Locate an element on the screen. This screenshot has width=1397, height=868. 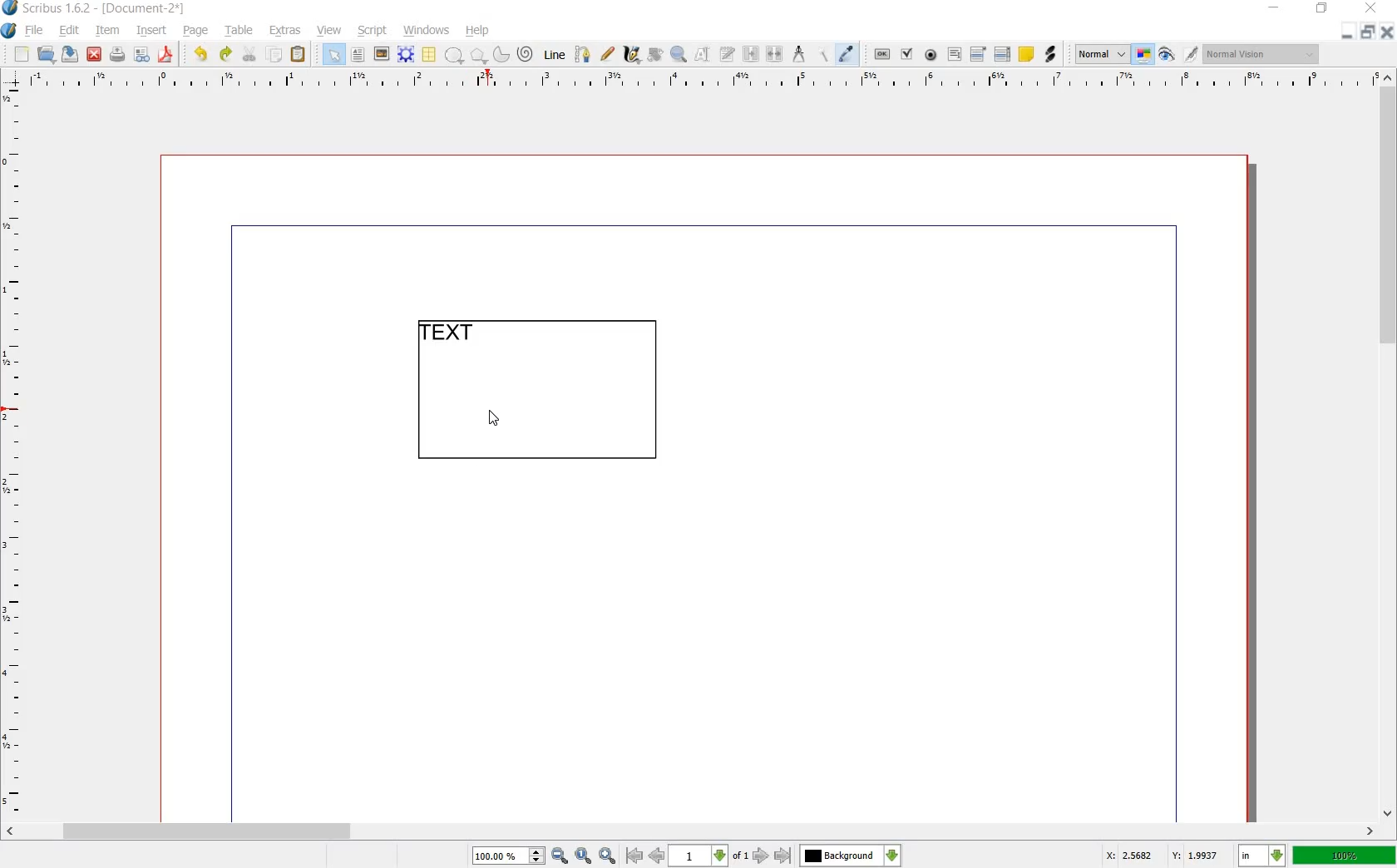
pdf list box is located at coordinates (1002, 53).